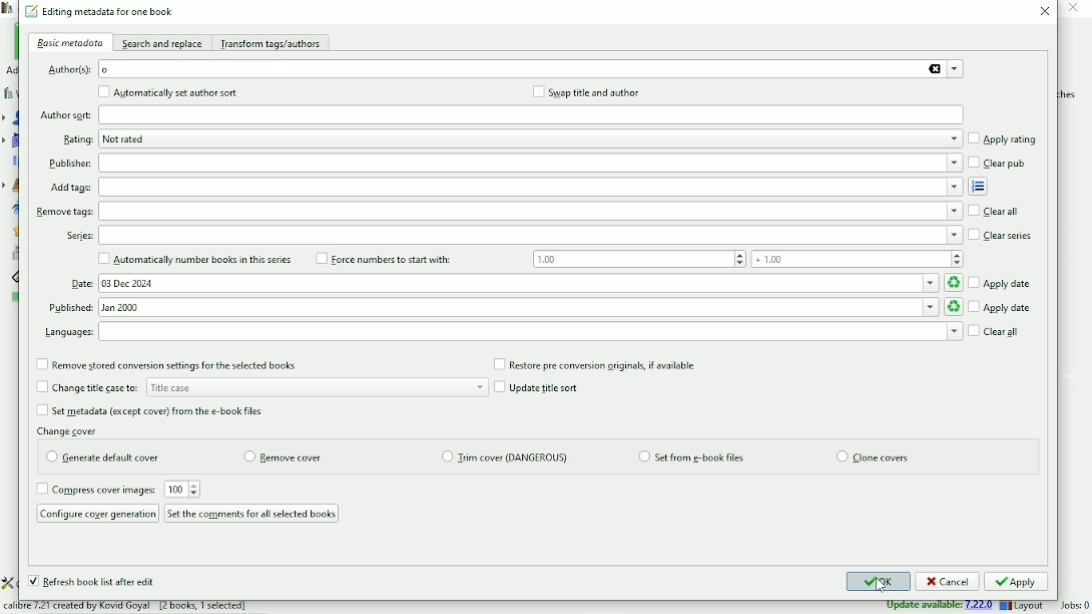 The image size is (1092, 614). I want to click on Remove stored conversion settings for the selected books, so click(167, 366).